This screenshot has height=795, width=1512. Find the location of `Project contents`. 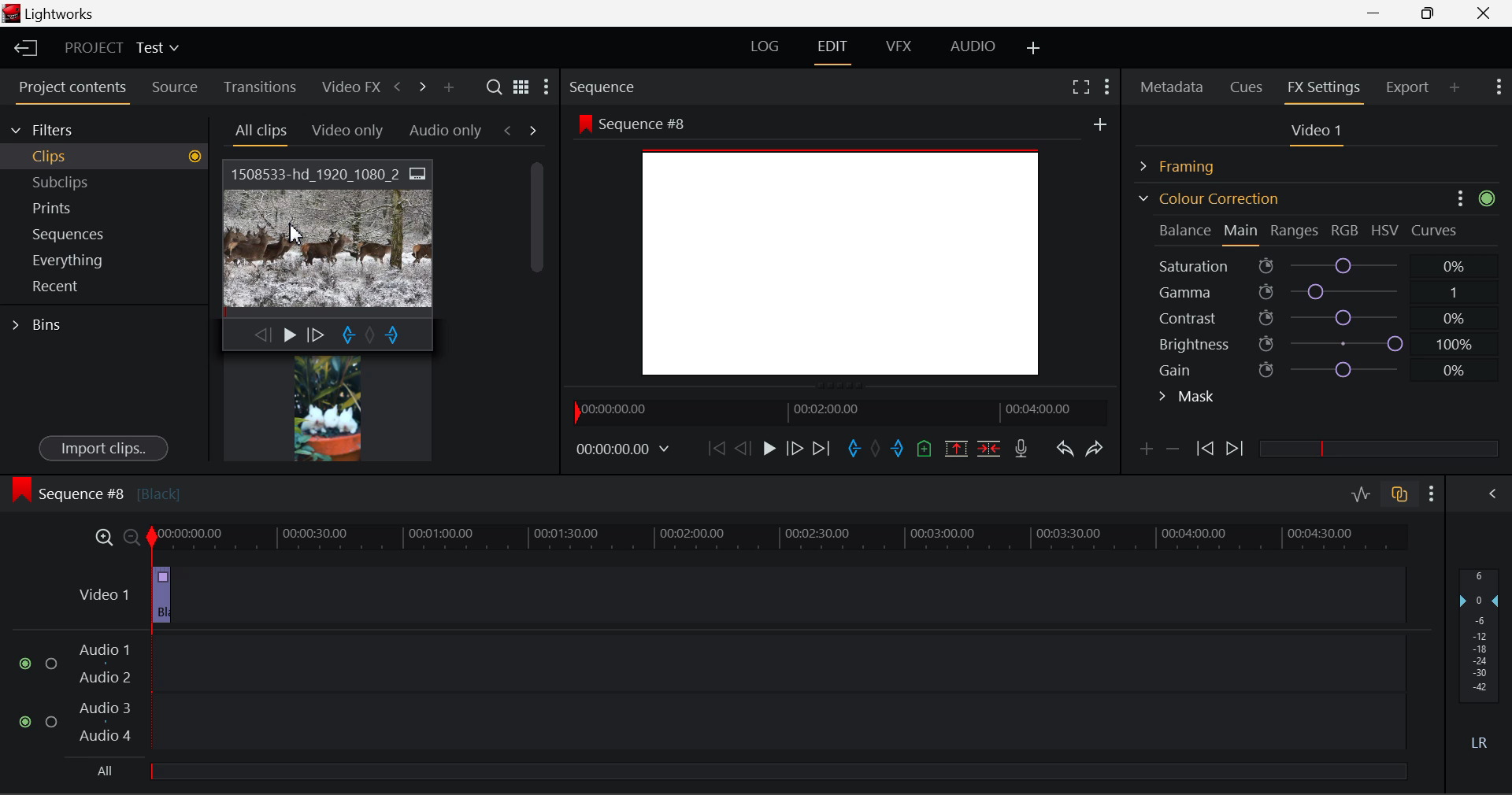

Project contents is located at coordinates (72, 91).